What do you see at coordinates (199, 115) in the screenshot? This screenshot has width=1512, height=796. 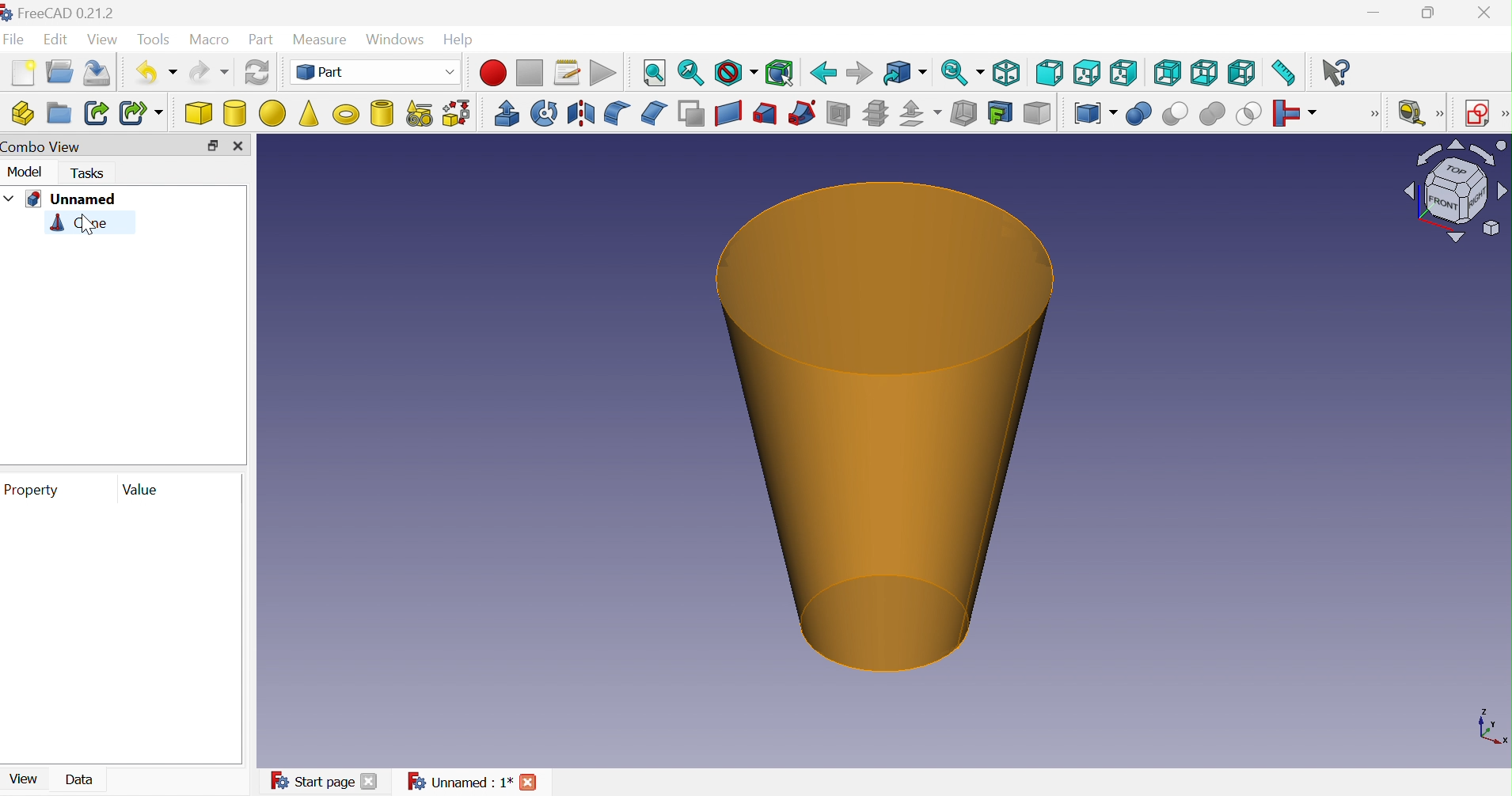 I see `Cube` at bounding box center [199, 115].